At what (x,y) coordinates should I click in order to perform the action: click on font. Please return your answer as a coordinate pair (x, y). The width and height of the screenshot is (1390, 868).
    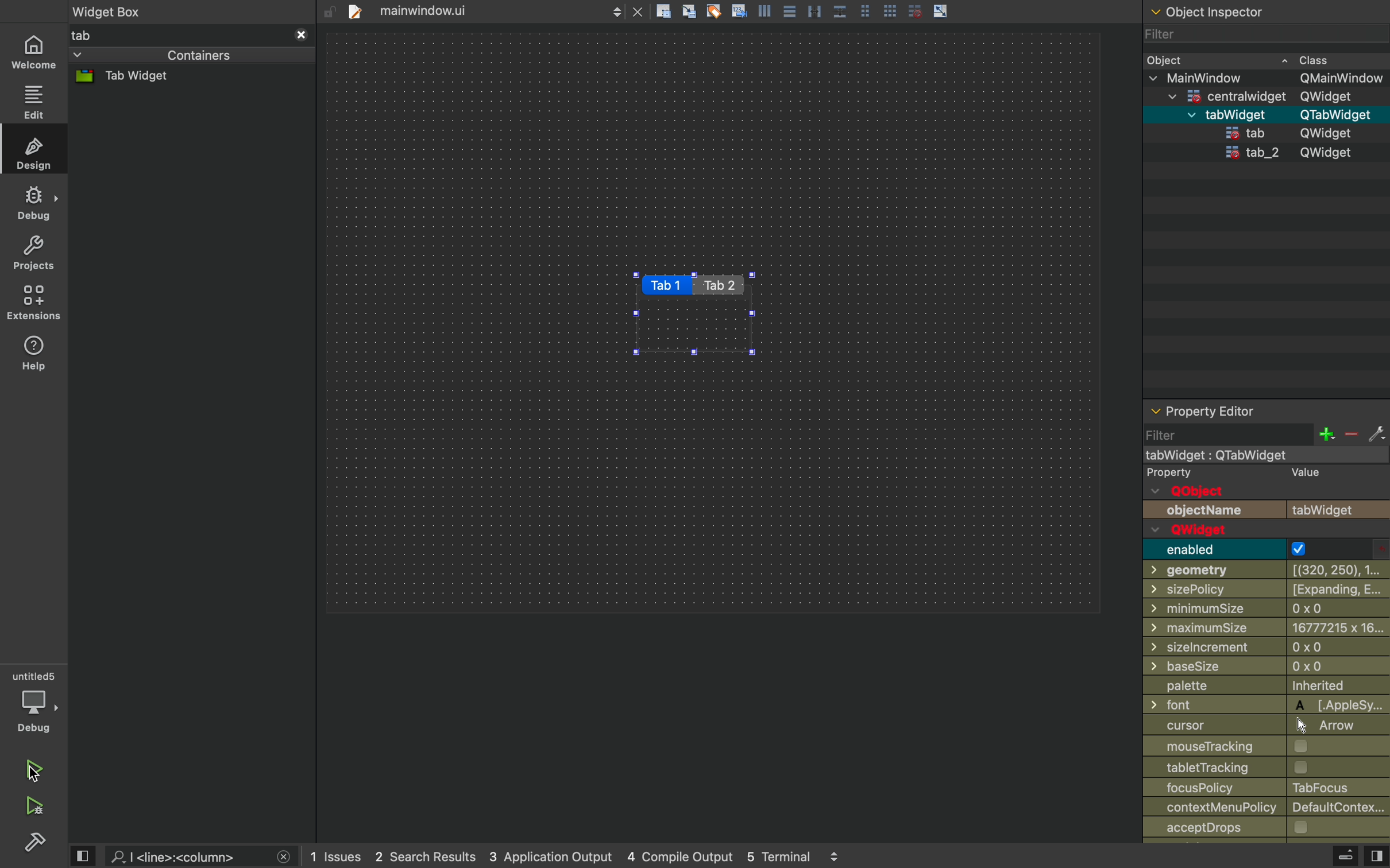
    Looking at the image, I should click on (1266, 706).